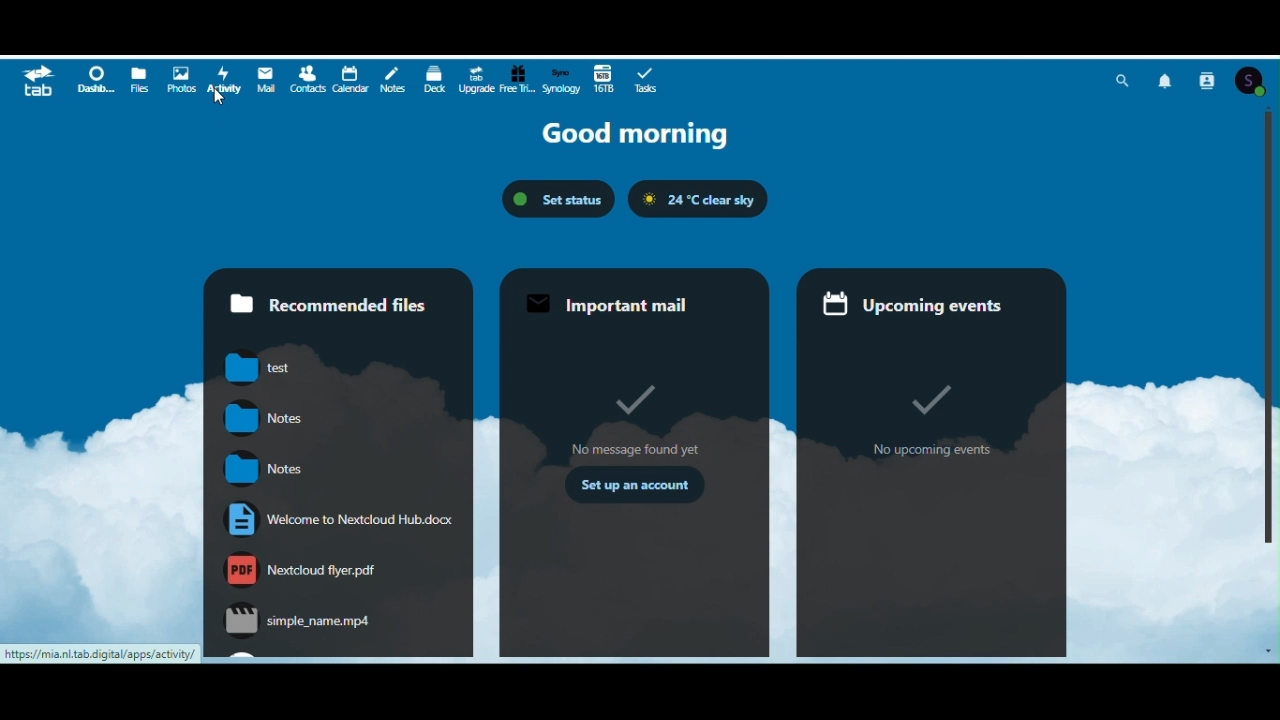 This screenshot has height=720, width=1280. Describe the element at coordinates (339, 462) in the screenshot. I see `Recommended files` at that location.